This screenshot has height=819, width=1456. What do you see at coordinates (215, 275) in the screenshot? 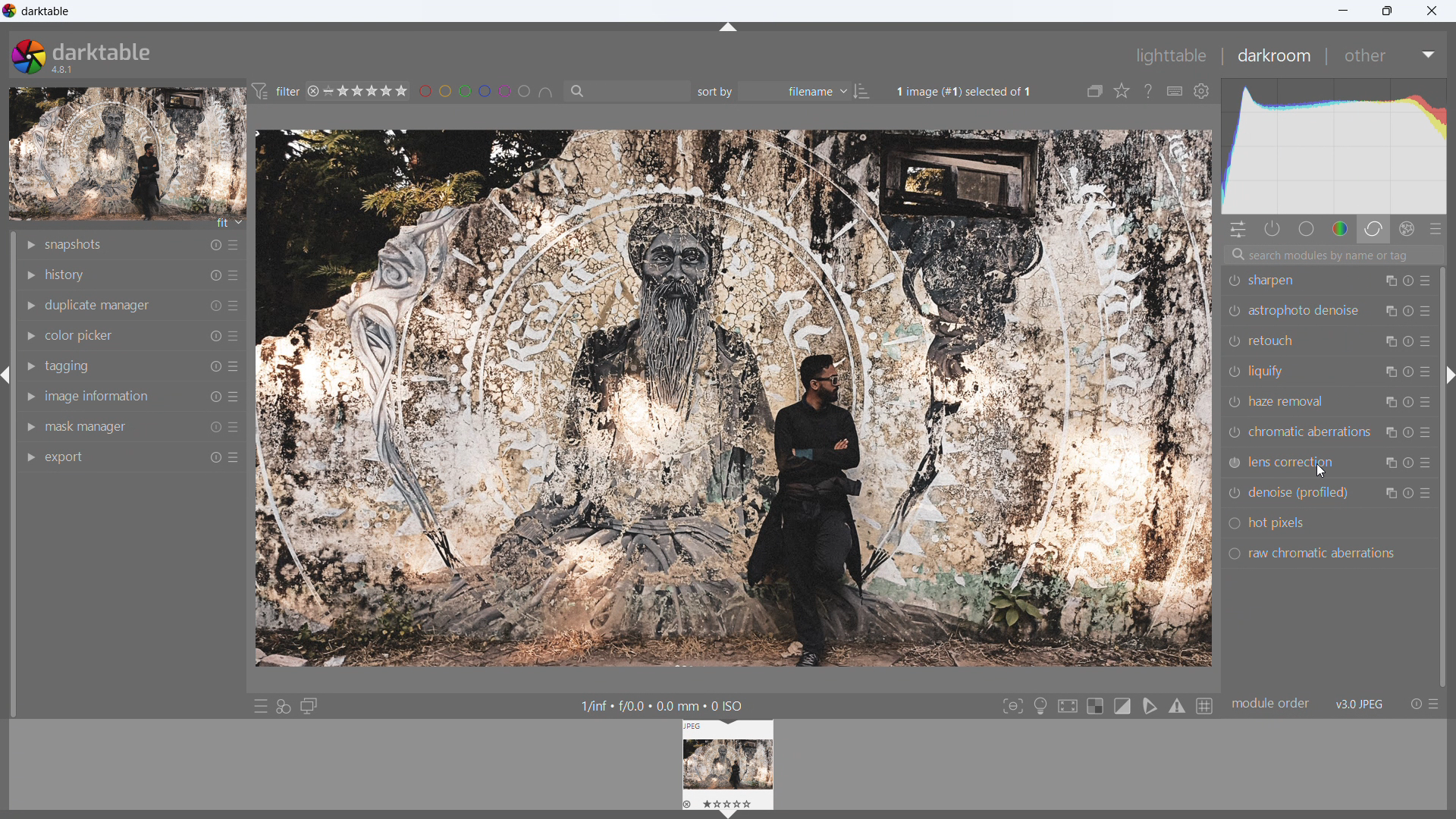
I see `reset` at bounding box center [215, 275].